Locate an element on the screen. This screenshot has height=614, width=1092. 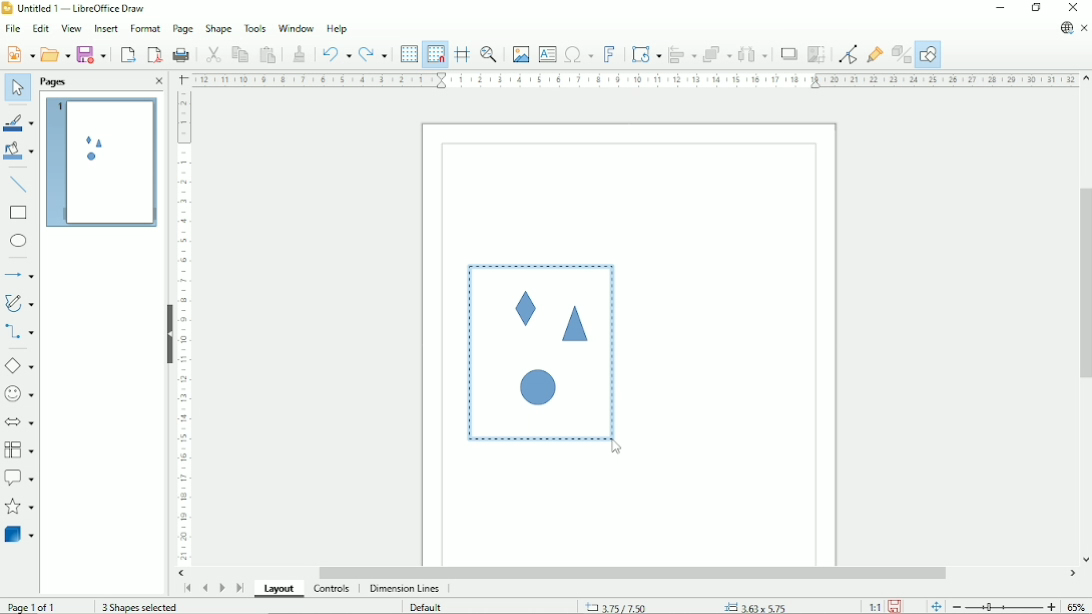
Display grid is located at coordinates (408, 53).